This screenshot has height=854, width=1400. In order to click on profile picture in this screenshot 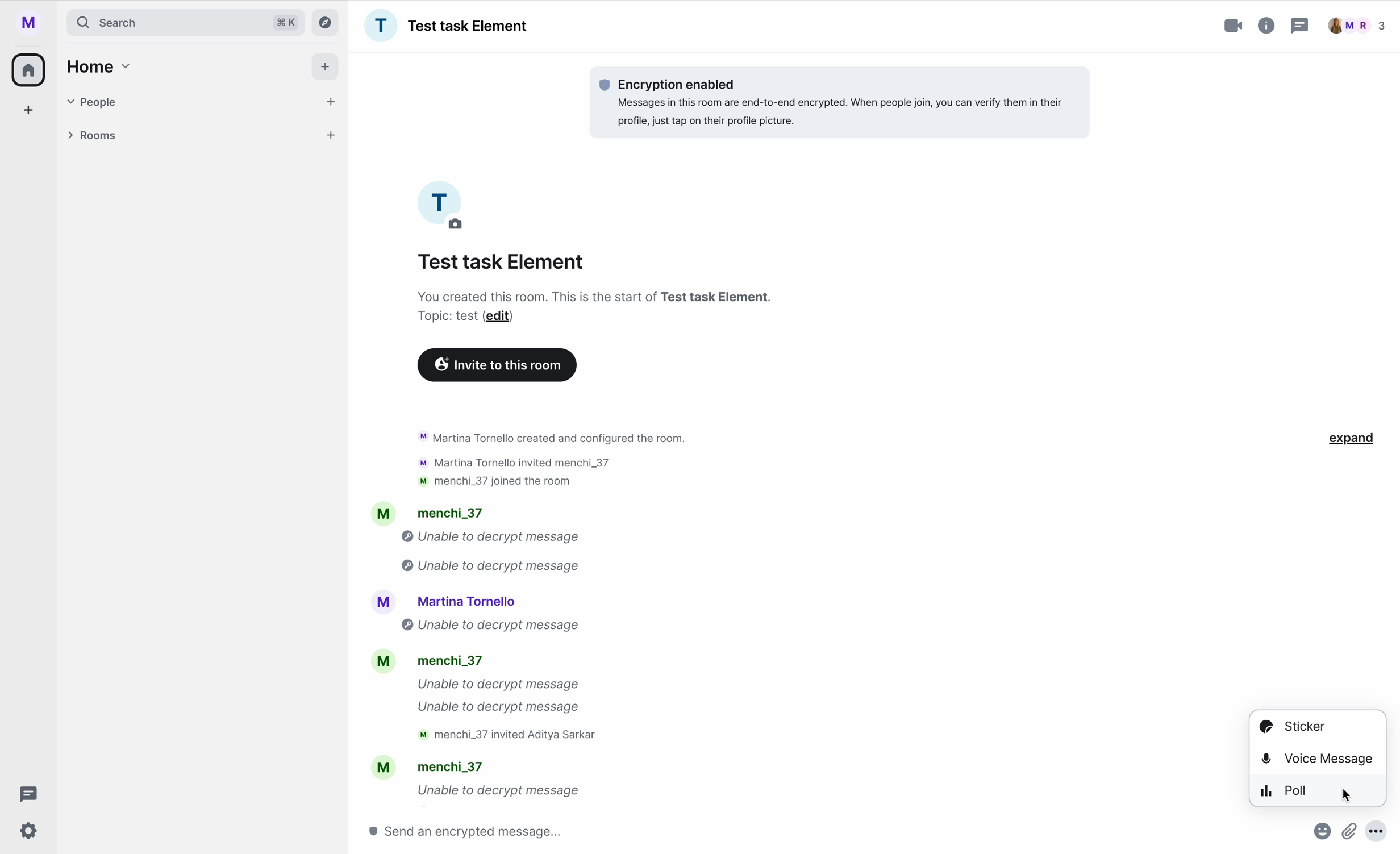, I will do `click(33, 23)`.